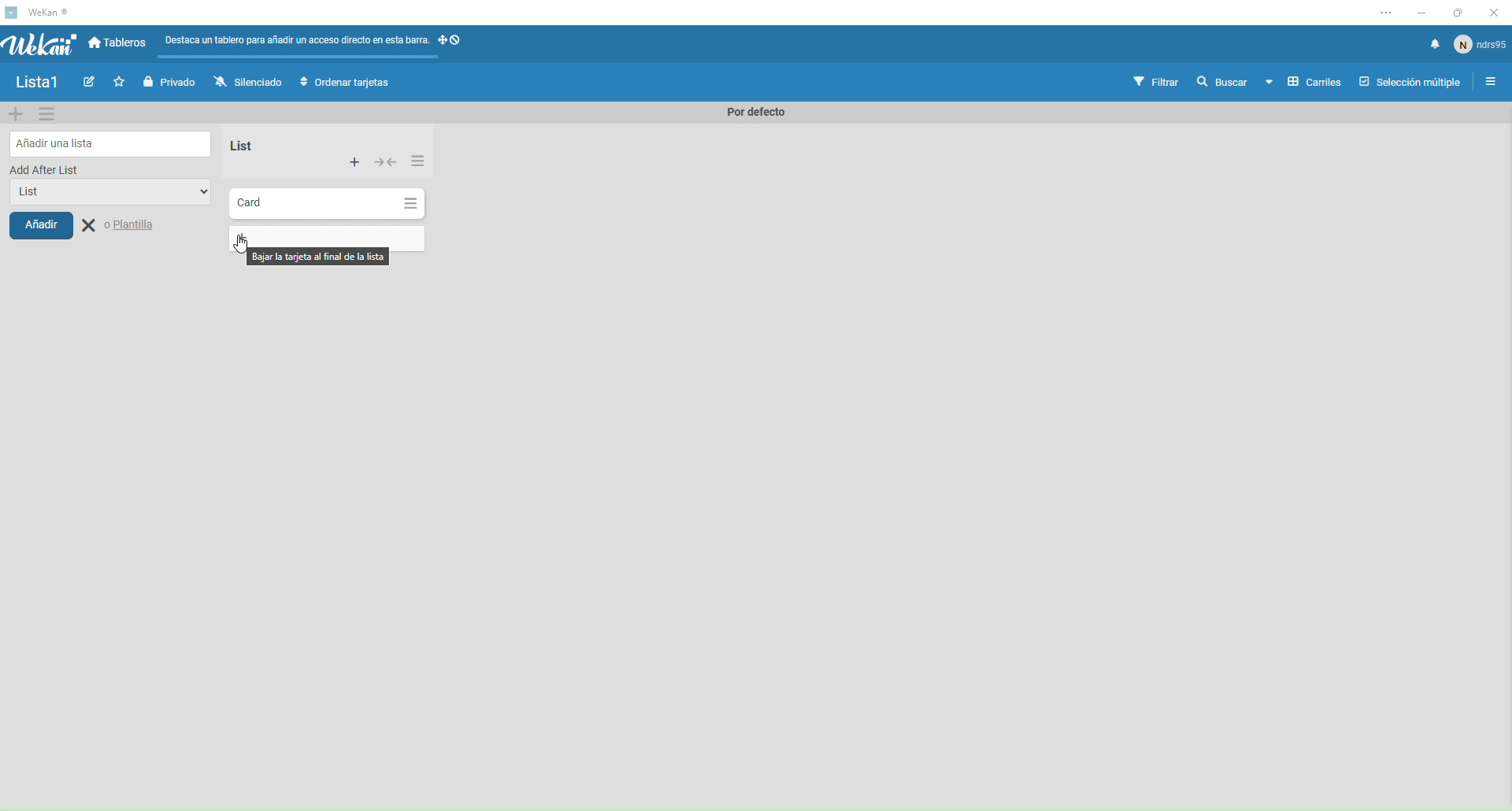 Image resolution: width=1512 pixels, height=811 pixels. Describe the element at coordinates (417, 159) in the screenshot. I see `More` at that location.